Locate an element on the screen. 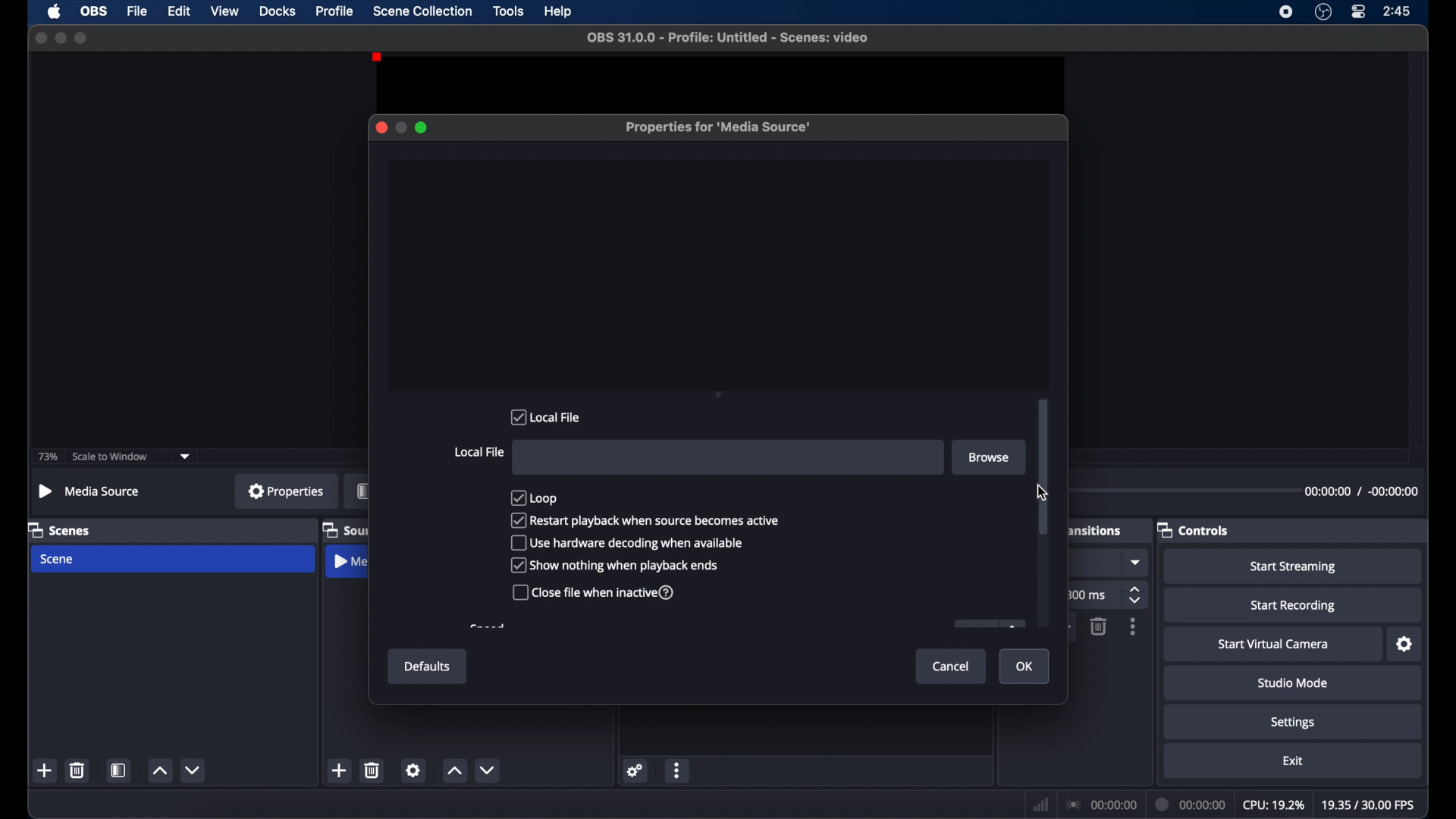 This screenshot has width=1456, height=819. cancel is located at coordinates (952, 666).